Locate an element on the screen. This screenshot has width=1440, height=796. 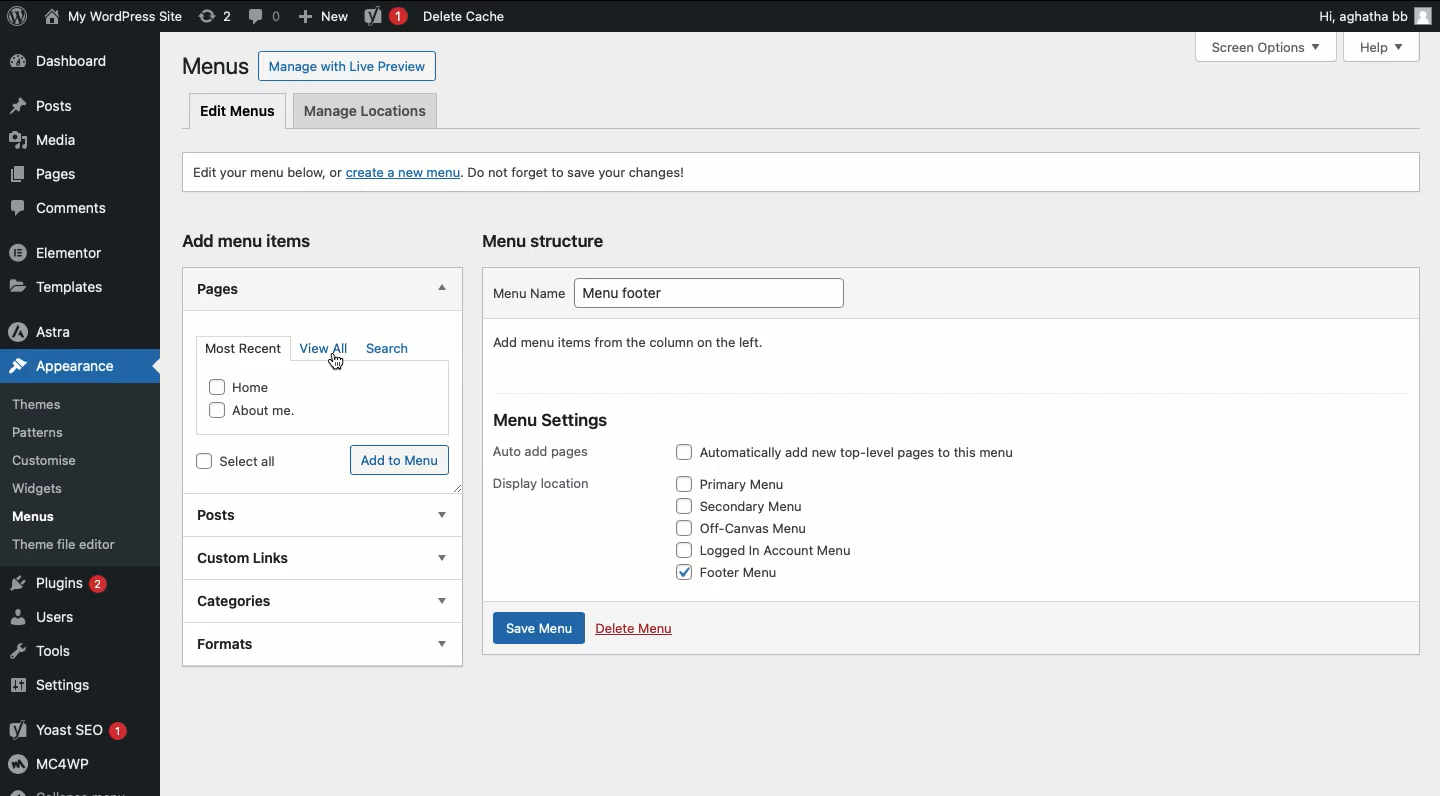
Check box is located at coordinates (681, 505).